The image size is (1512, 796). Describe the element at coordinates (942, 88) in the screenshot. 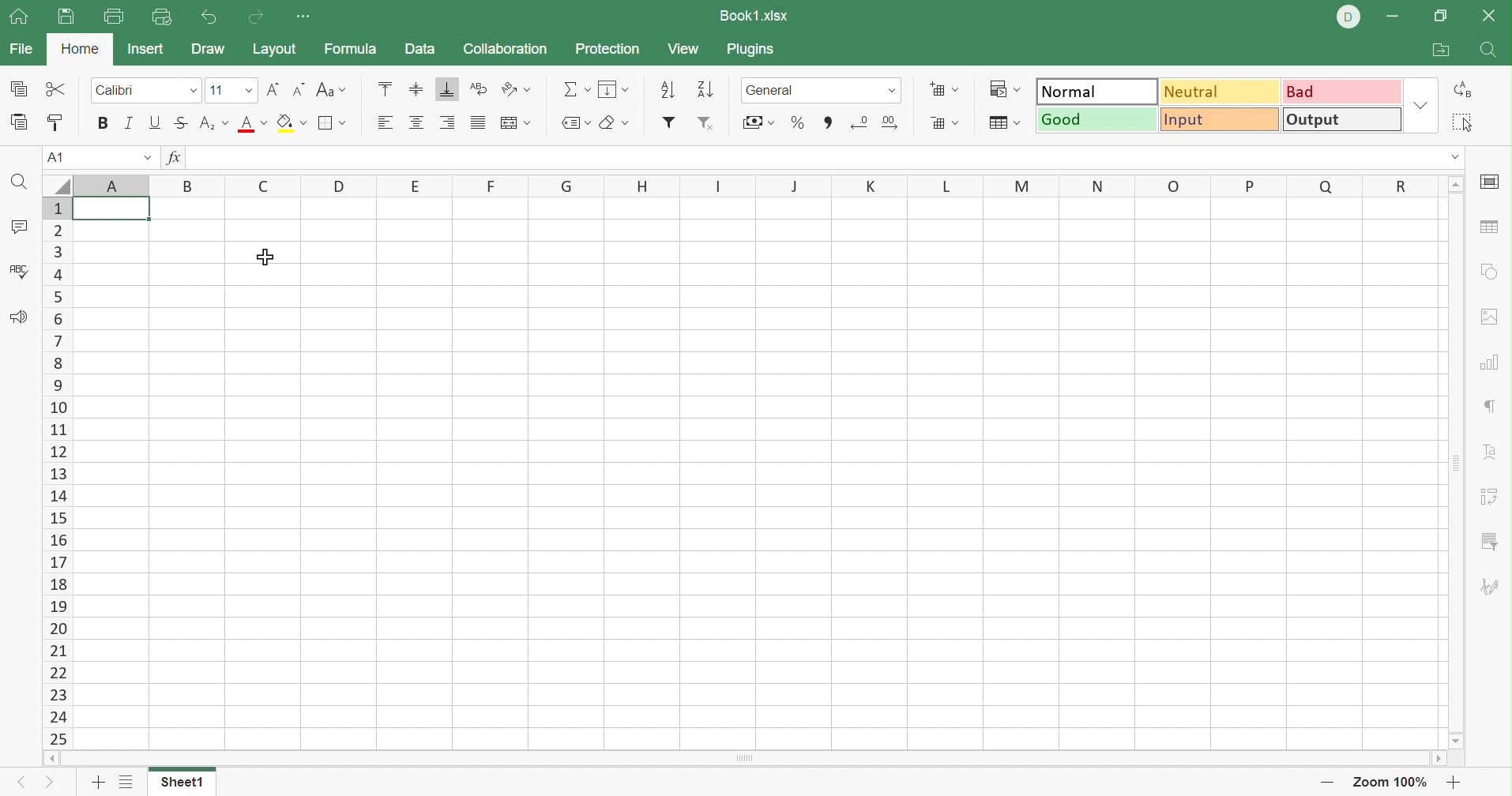

I see `Add cell` at that location.